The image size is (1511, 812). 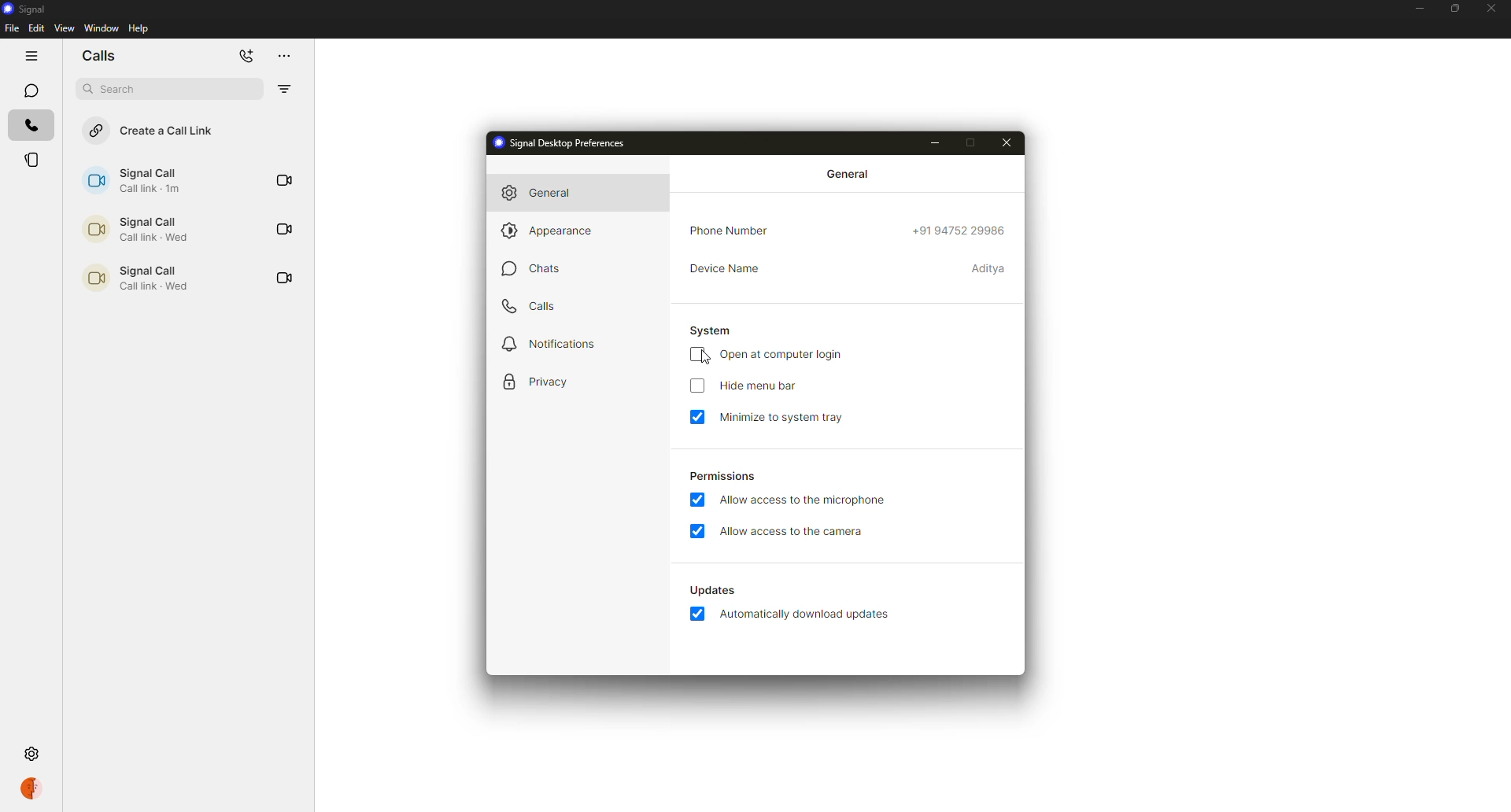 I want to click on appearance, so click(x=549, y=233).